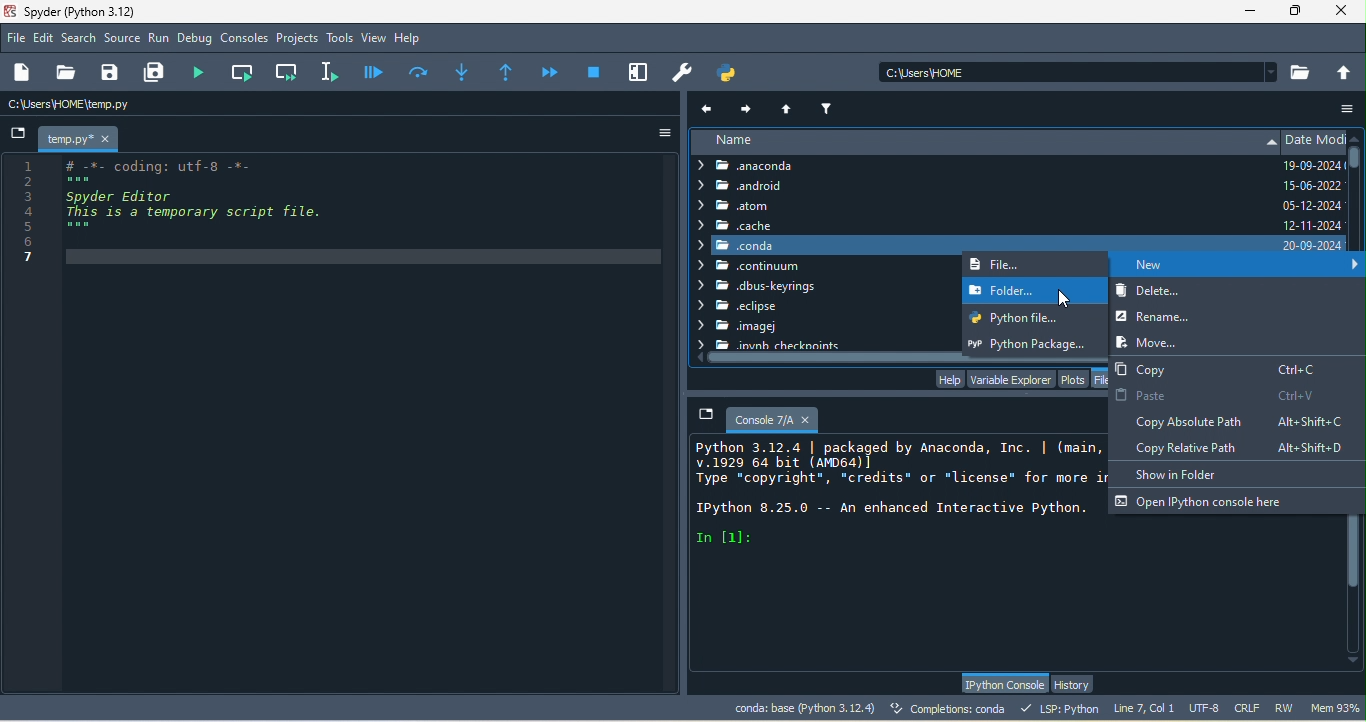 The width and height of the screenshot is (1366, 722). I want to click on close, so click(1346, 12).